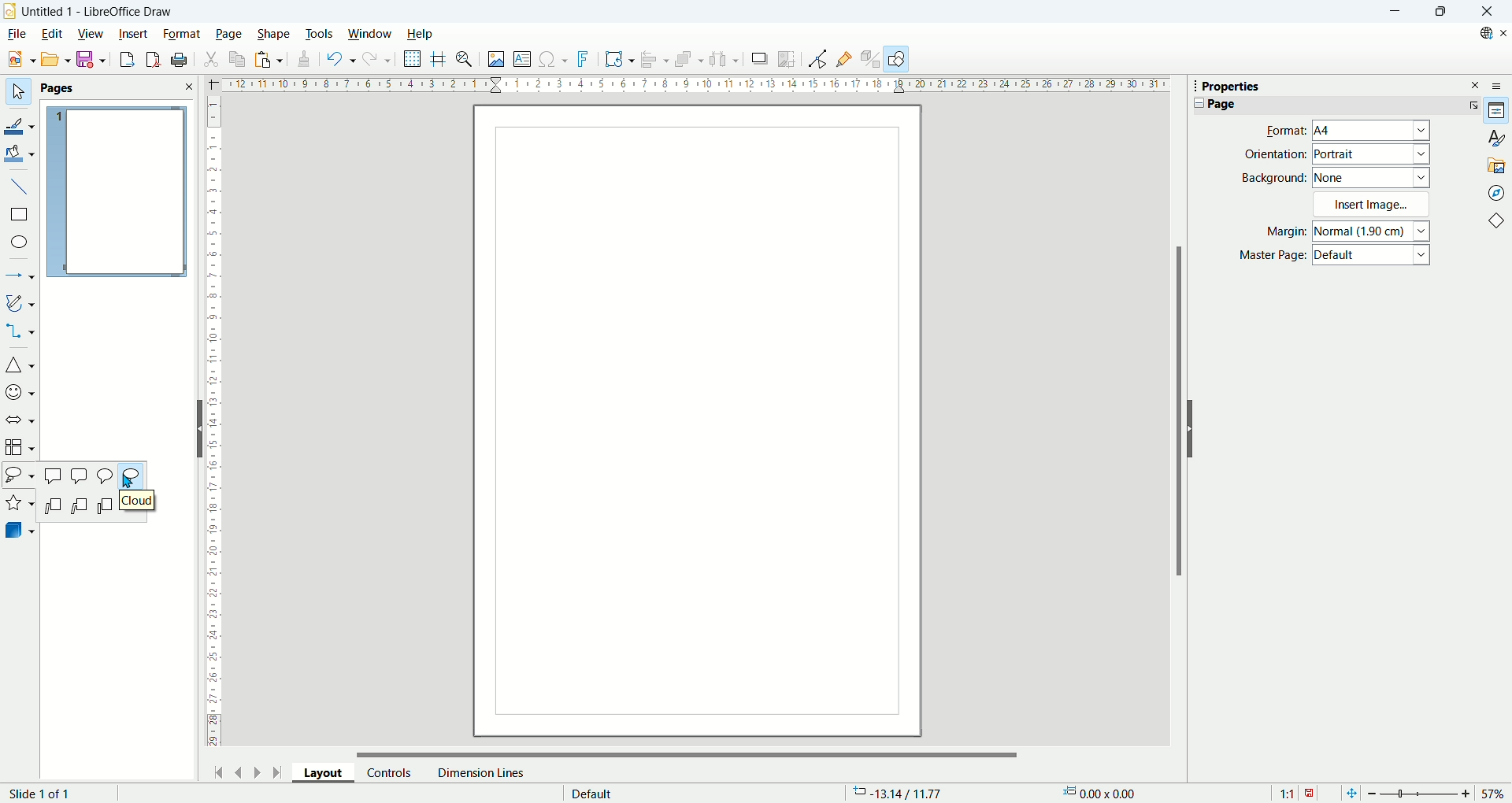 The image size is (1512, 803). Describe the element at coordinates (1373, 131) in the screenshot. I see `A4` at that location.